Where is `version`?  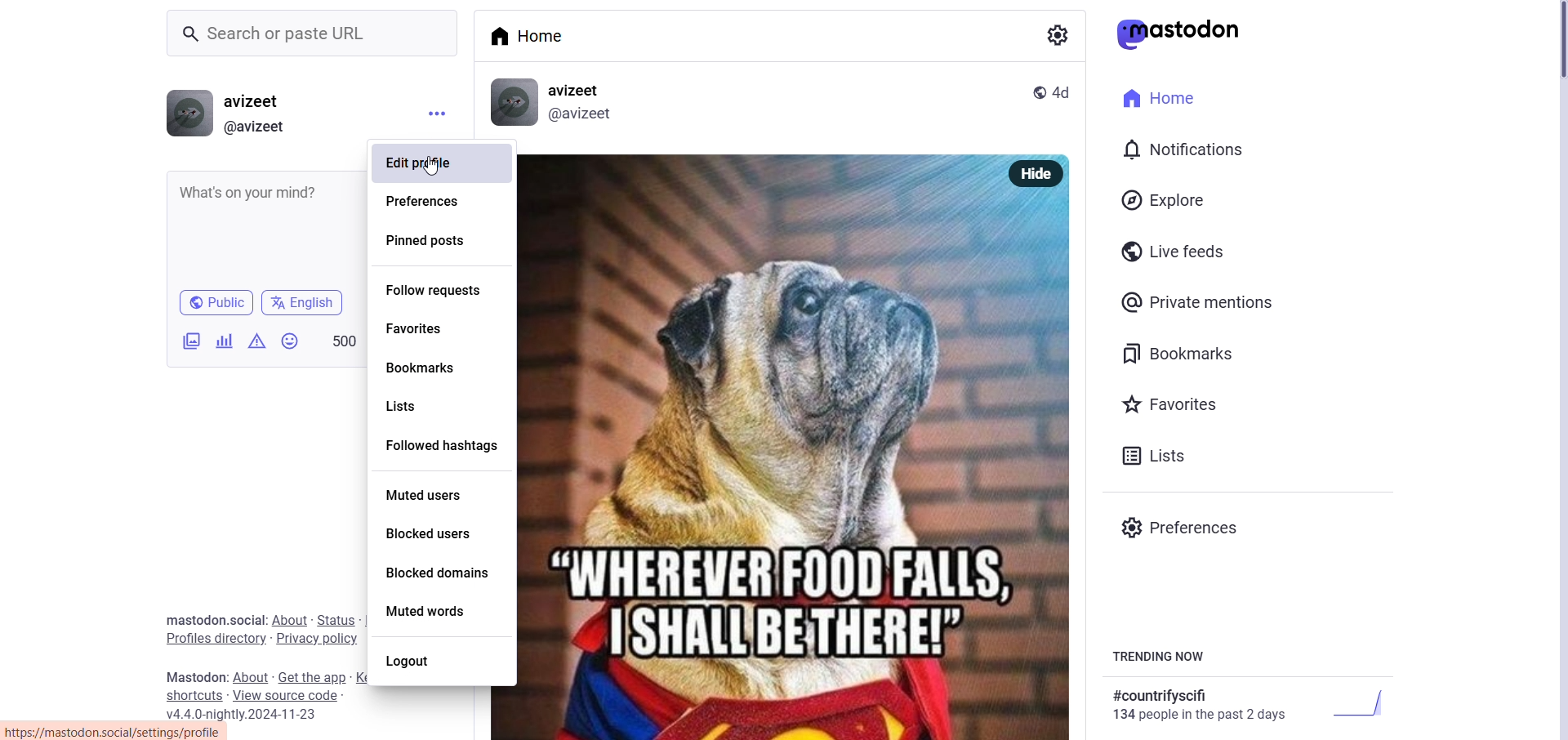 version is located at coordinates (252, 715).